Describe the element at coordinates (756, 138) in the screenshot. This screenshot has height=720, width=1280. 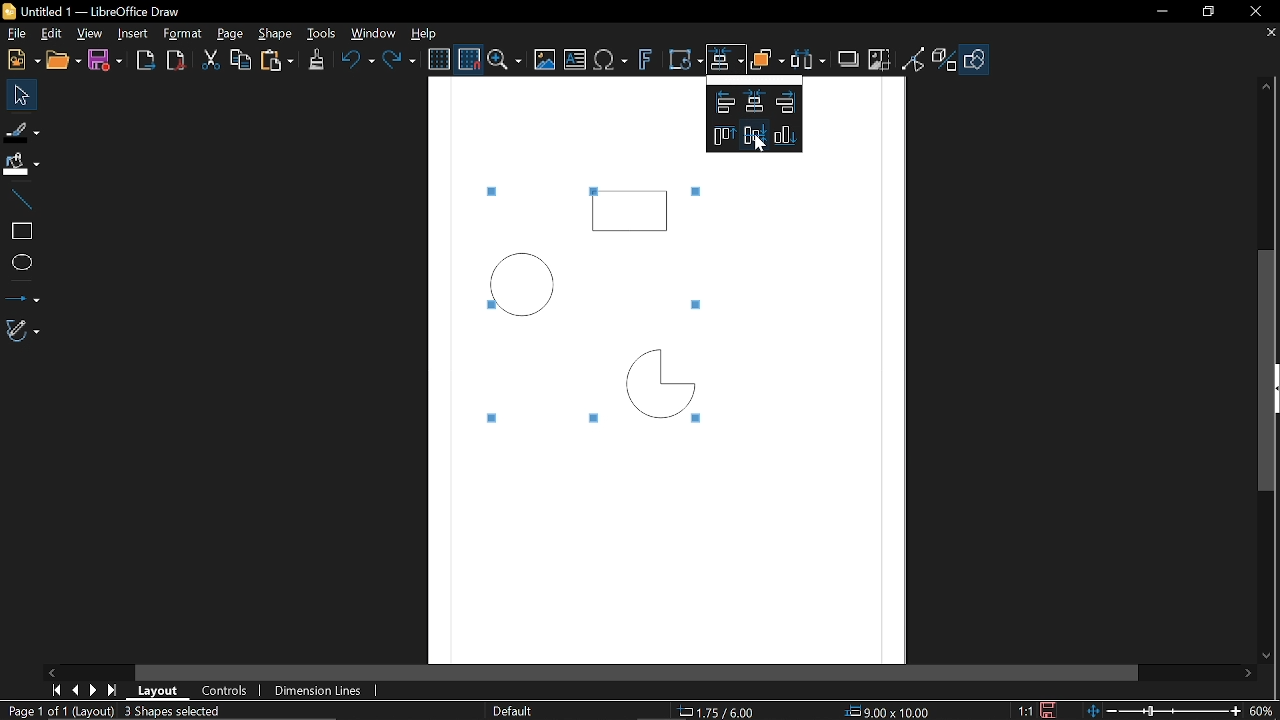
I see `Align horizntally` at that location.